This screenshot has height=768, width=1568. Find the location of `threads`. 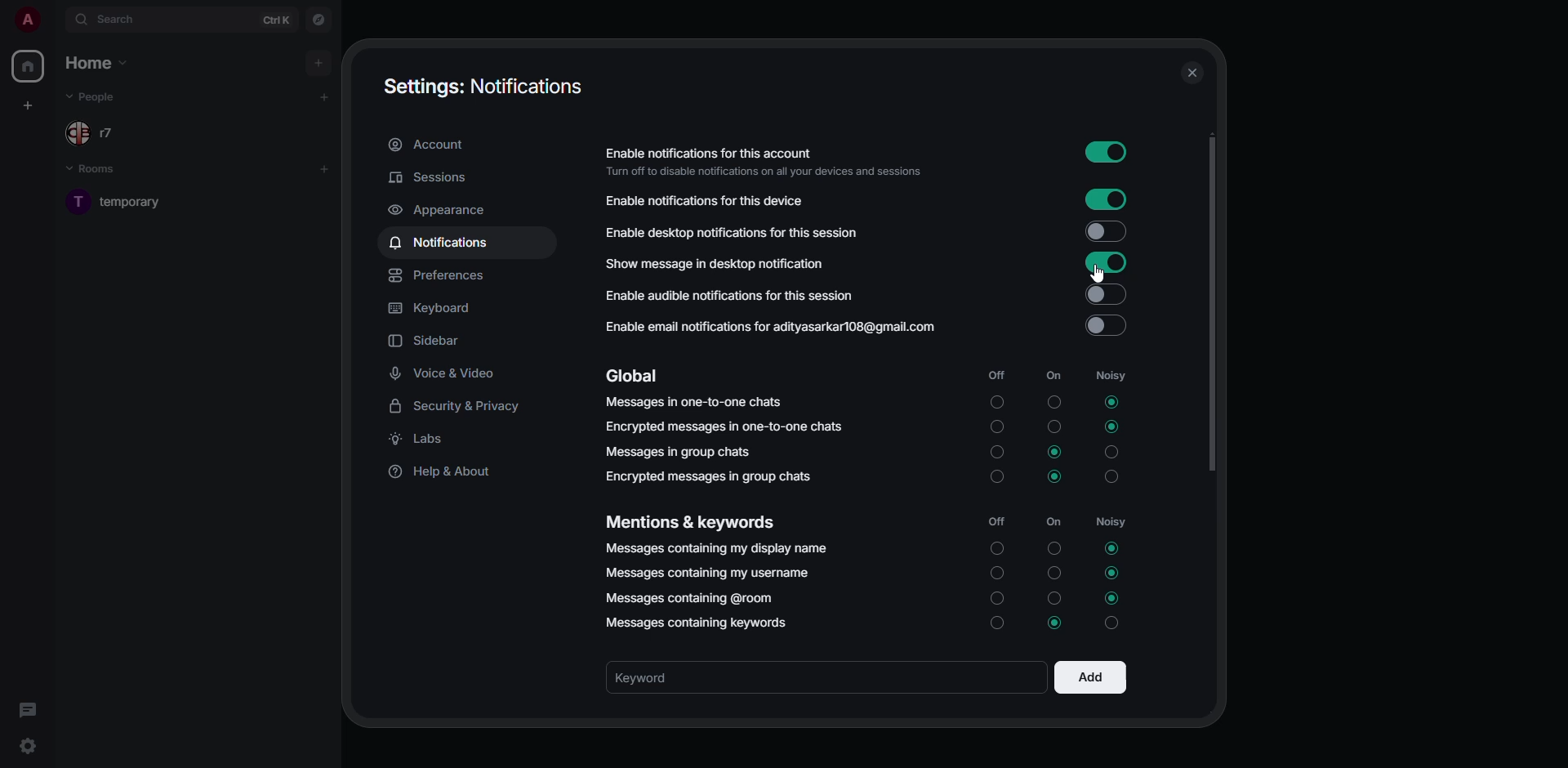

threads is located at coordinates (30, 710).